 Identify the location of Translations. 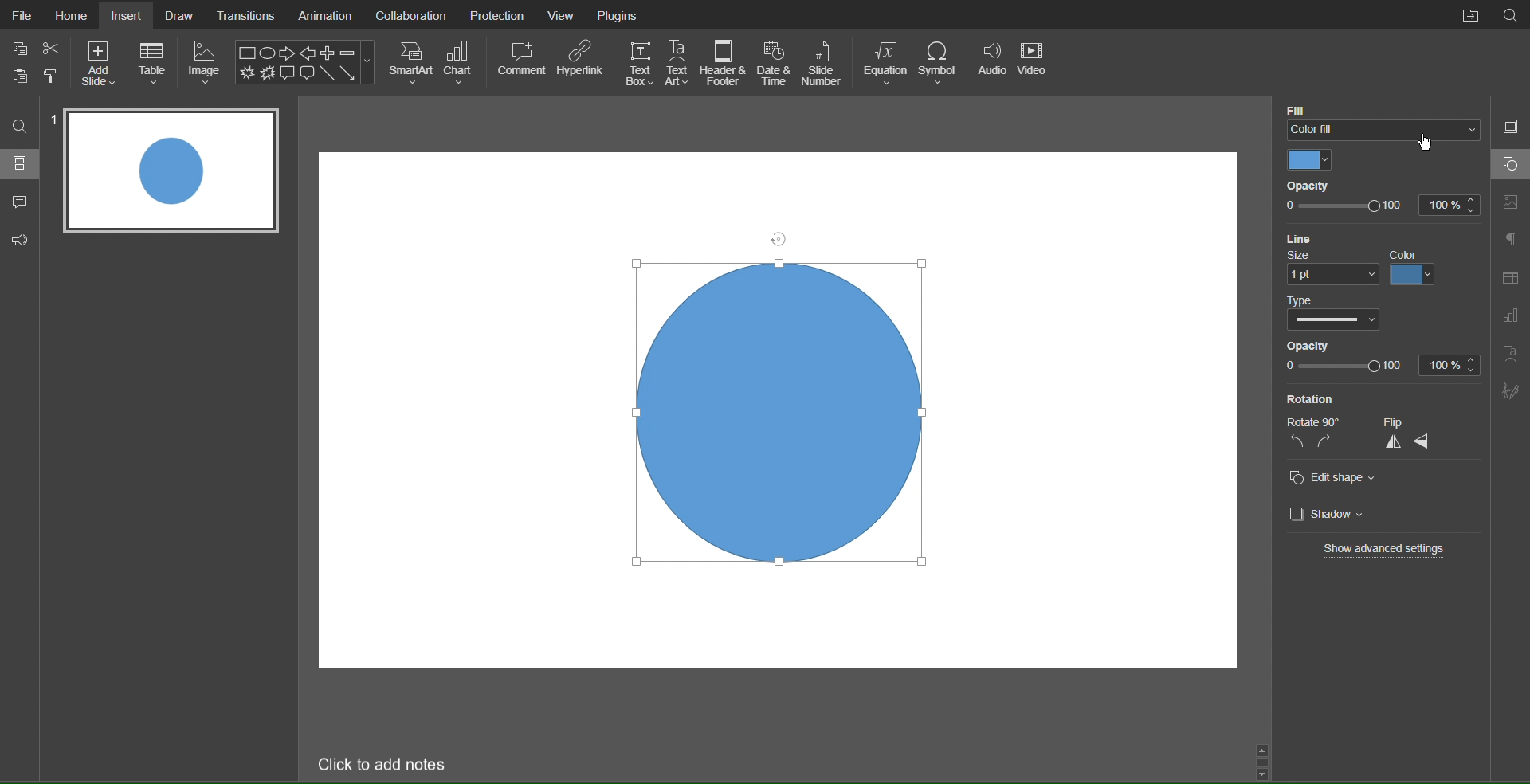
(246, 14).